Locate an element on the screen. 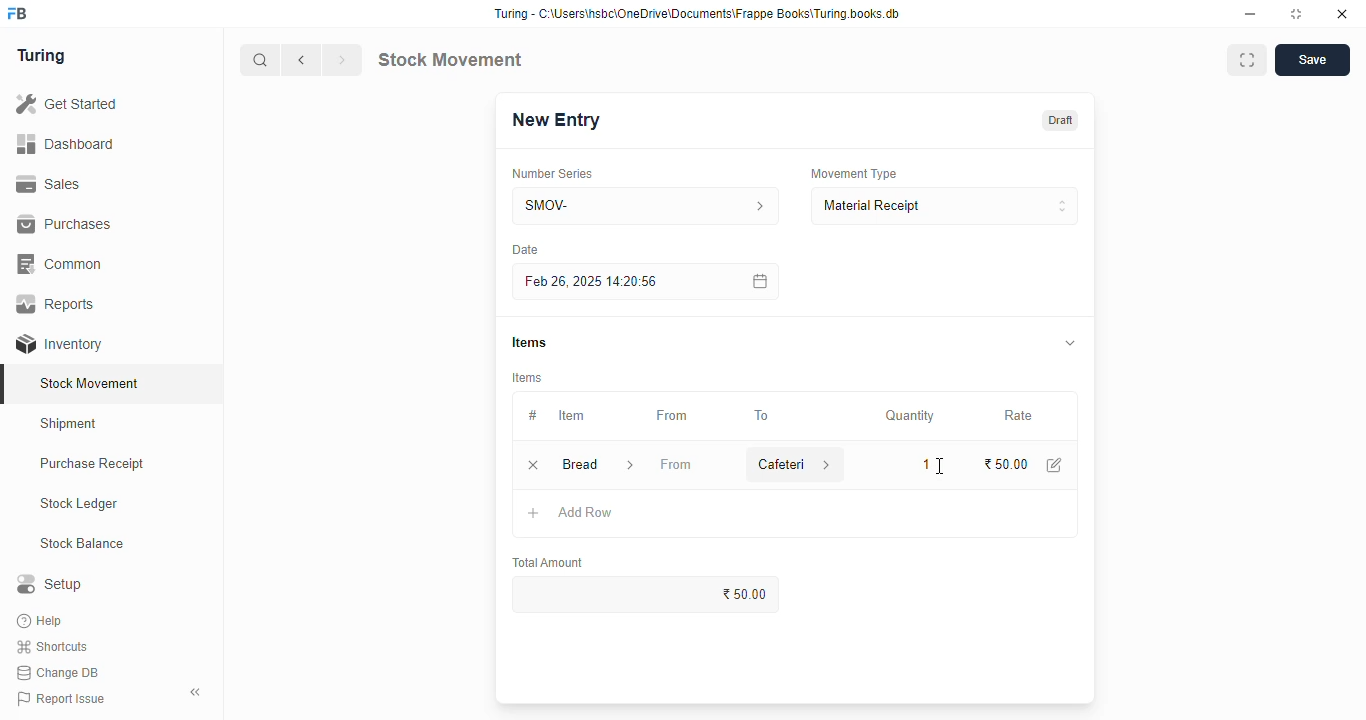 The image size is (1366, 720). minimize is located at coordinates (1250, 15).